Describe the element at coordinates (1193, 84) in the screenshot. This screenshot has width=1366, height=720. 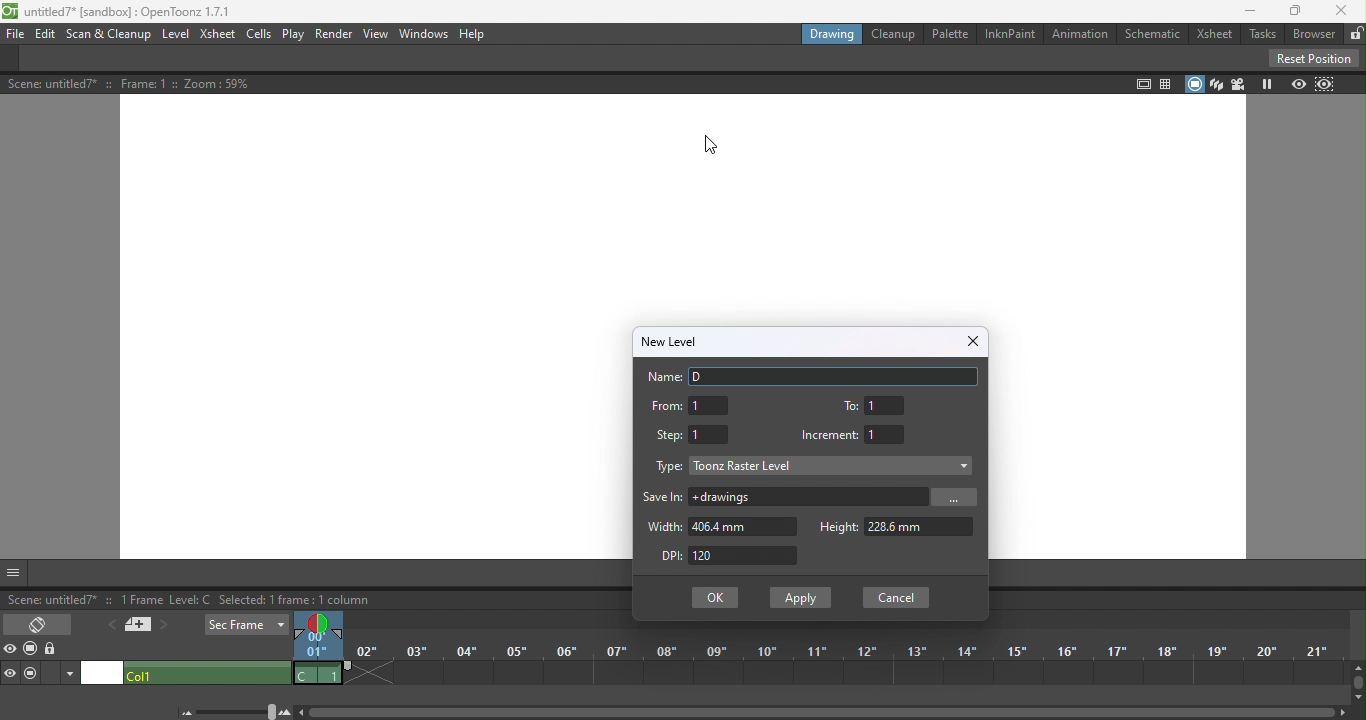
I see `Camera stand view` at that location.